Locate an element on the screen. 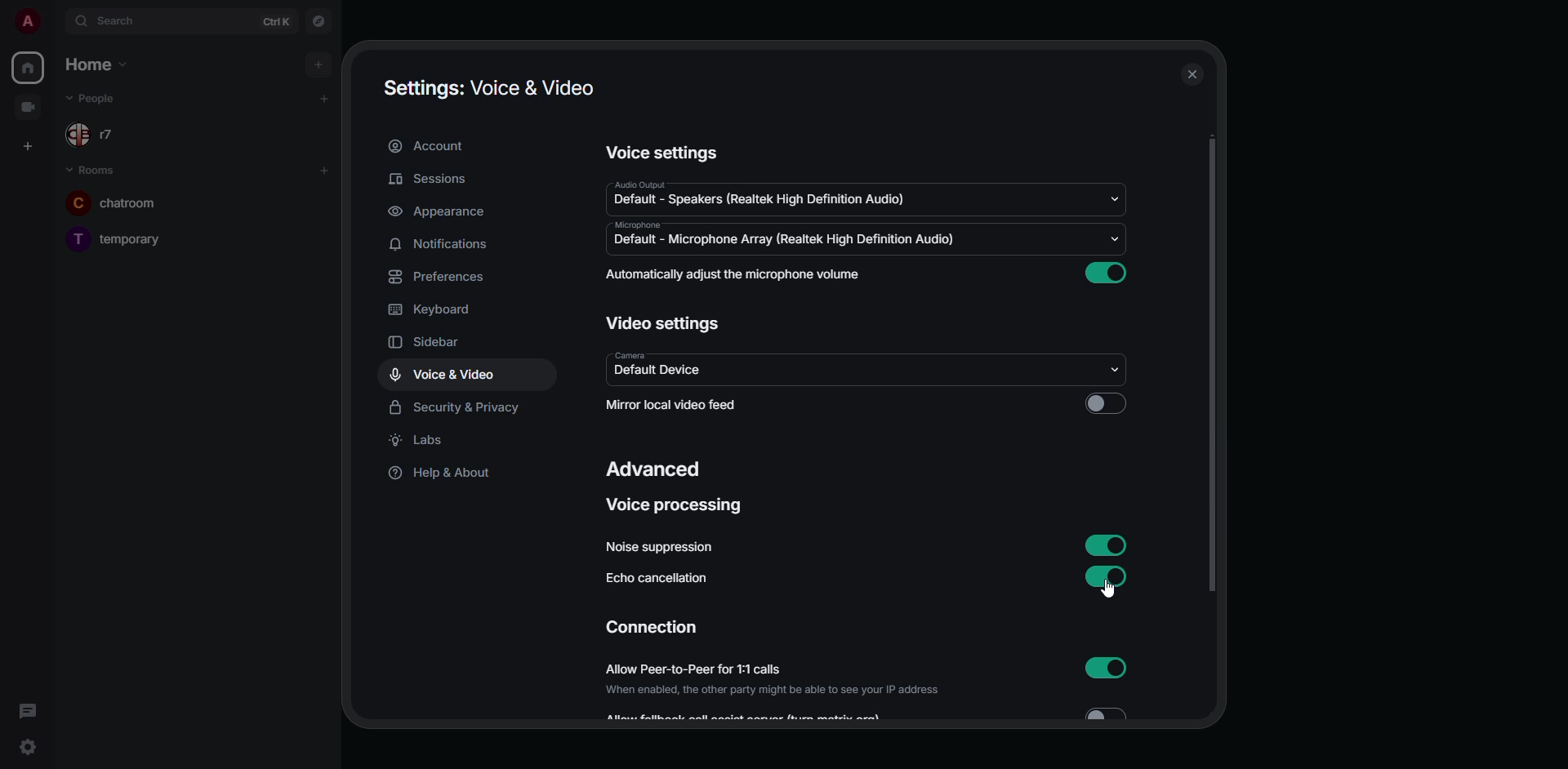  security & privacy is located at coordinates (458, 407).